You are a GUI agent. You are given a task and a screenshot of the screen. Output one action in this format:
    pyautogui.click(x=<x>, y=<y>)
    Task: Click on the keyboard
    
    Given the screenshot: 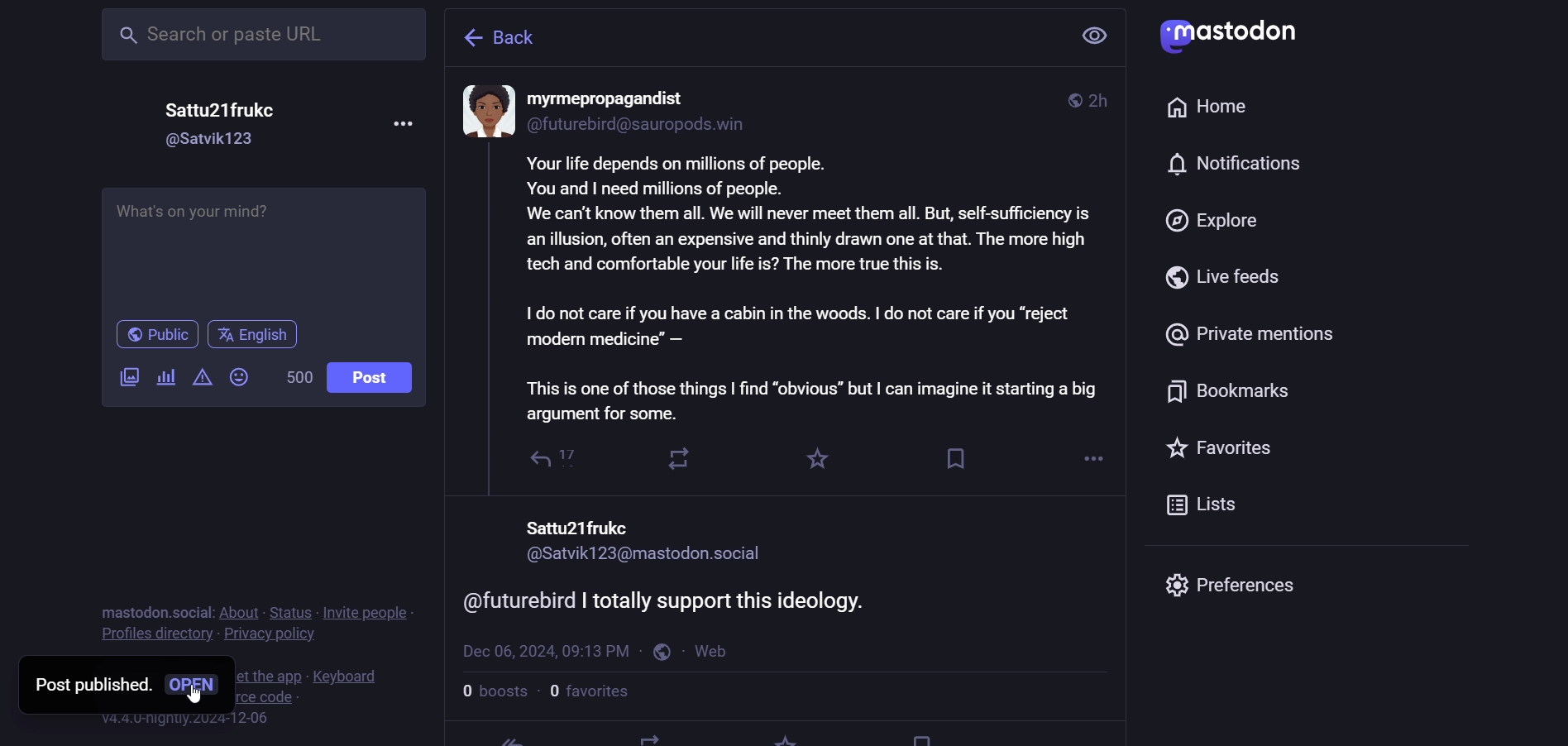 What is the action you would take?
    pyautogui.click(x=349, y=676)
    